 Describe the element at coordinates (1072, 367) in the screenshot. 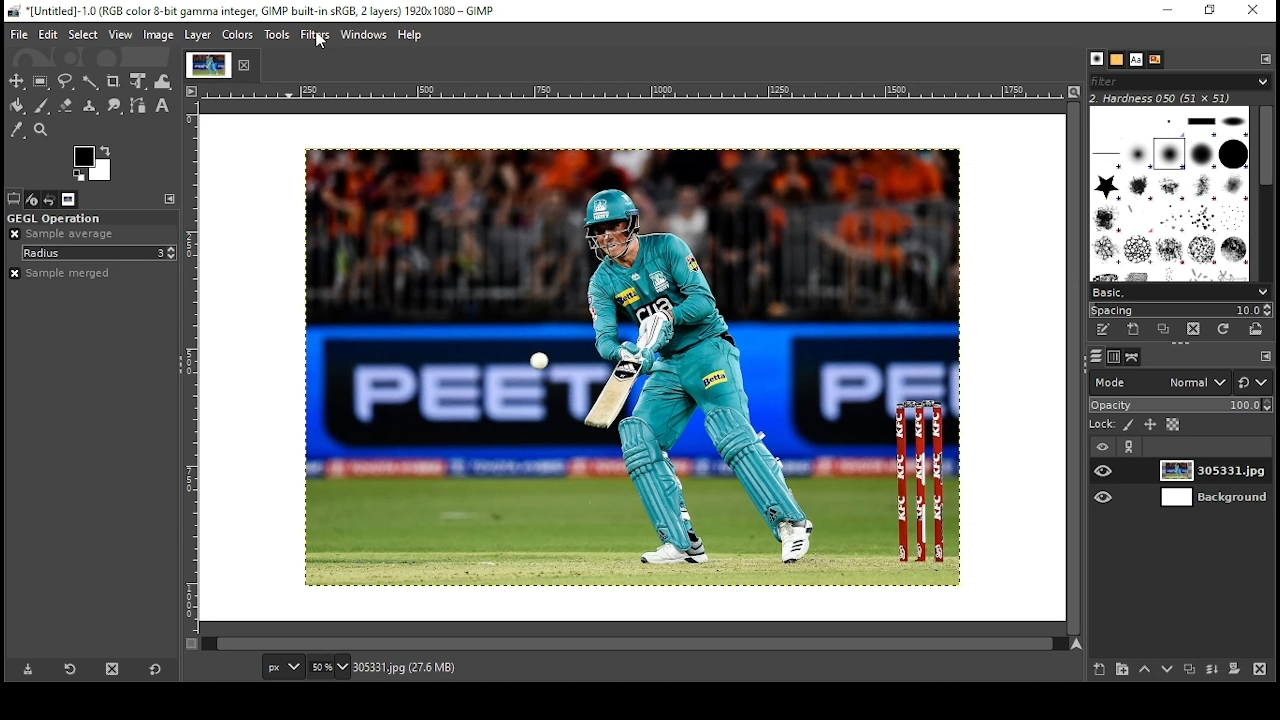

I see `scroll bar` at that location.